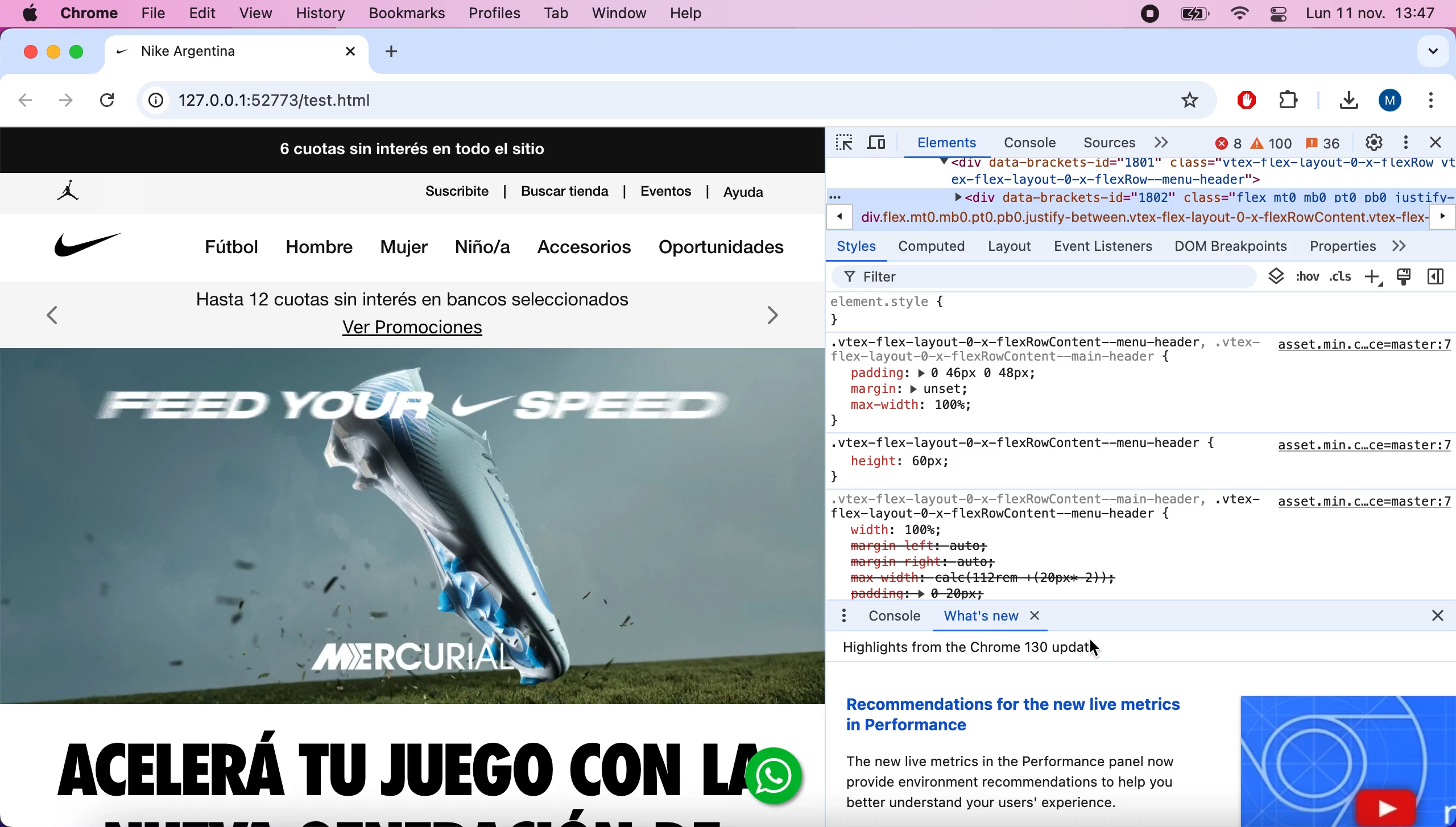  Describe the element at coordinates (1142, 193) in the screenshot. I see `code` at that location.